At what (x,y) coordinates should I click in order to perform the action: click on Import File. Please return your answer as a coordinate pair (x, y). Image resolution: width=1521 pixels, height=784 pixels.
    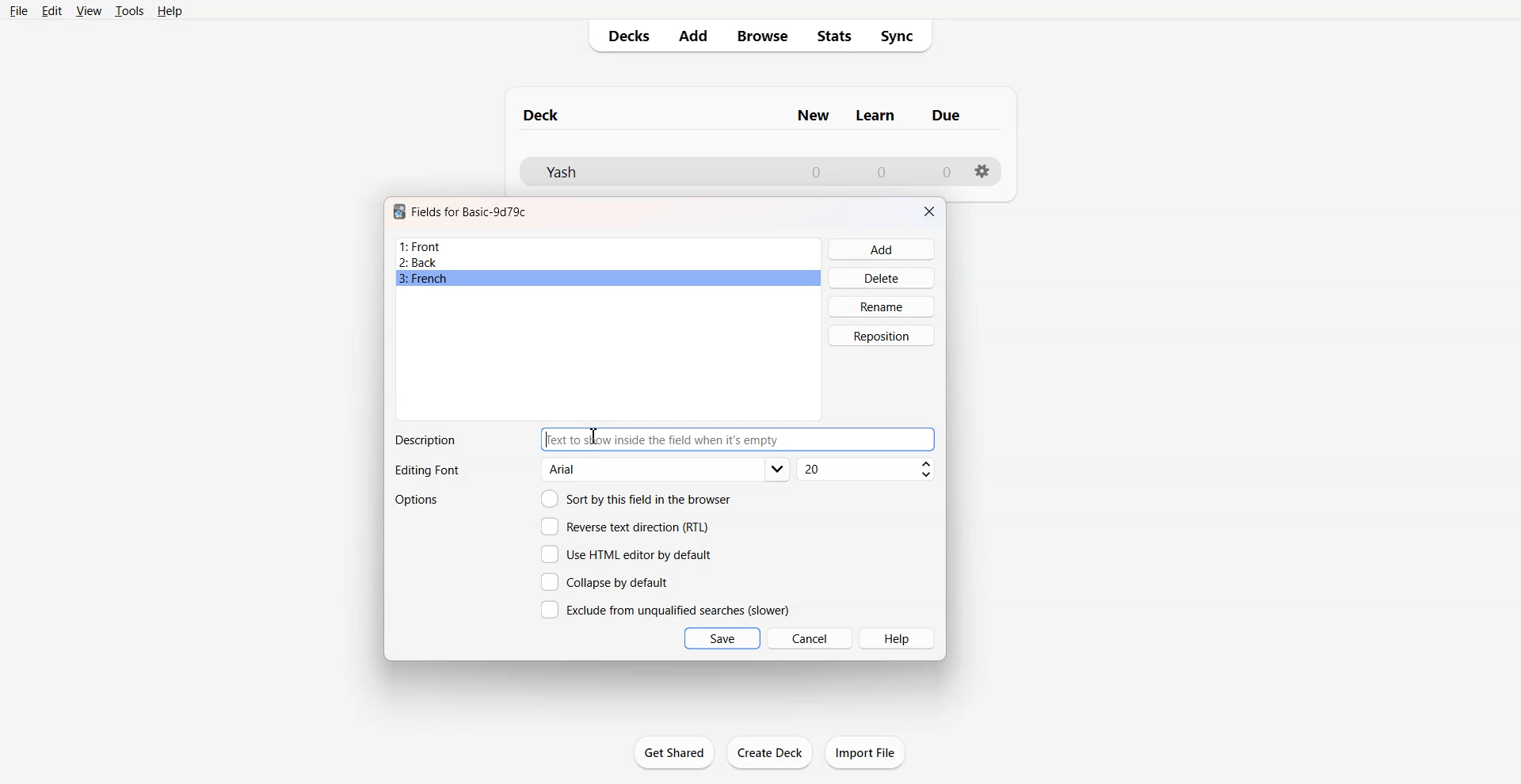
    Looking at the image, I should click on (865, 752).